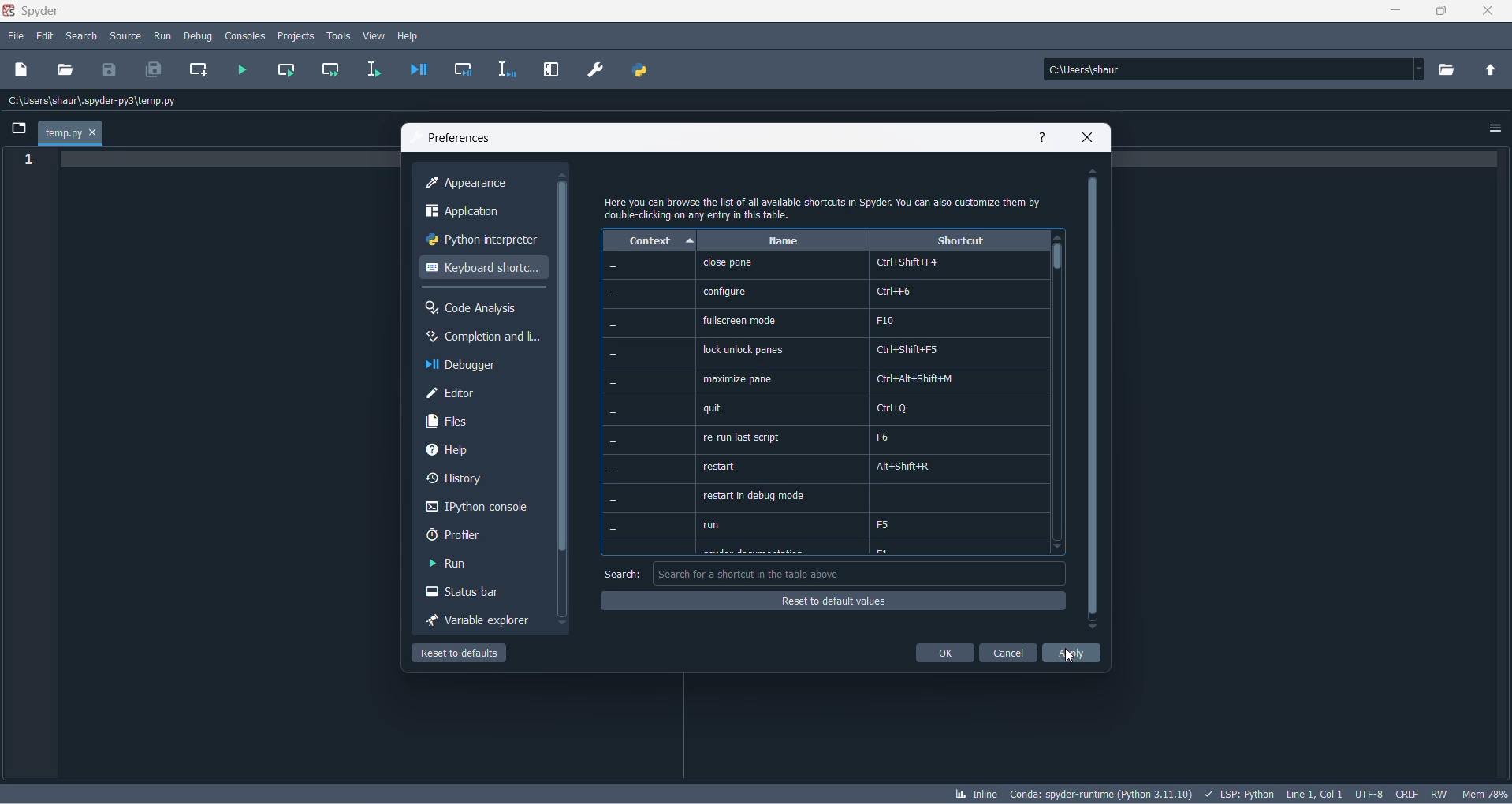 The image size is (1512, 804). I want to click on arl+Q, so click(896, 408).